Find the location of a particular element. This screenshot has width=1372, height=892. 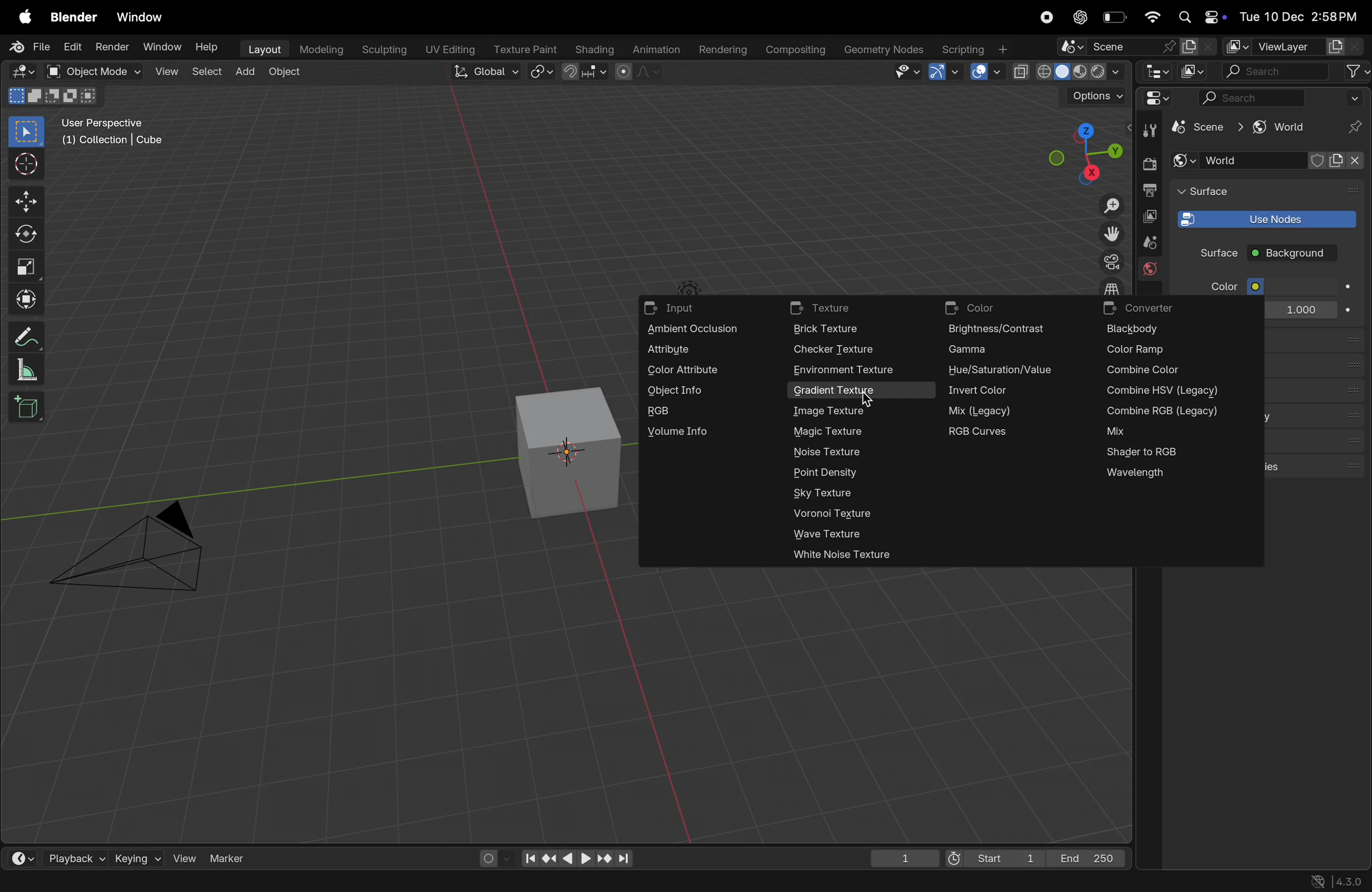

playback controls is located at coordinates (573, 855).